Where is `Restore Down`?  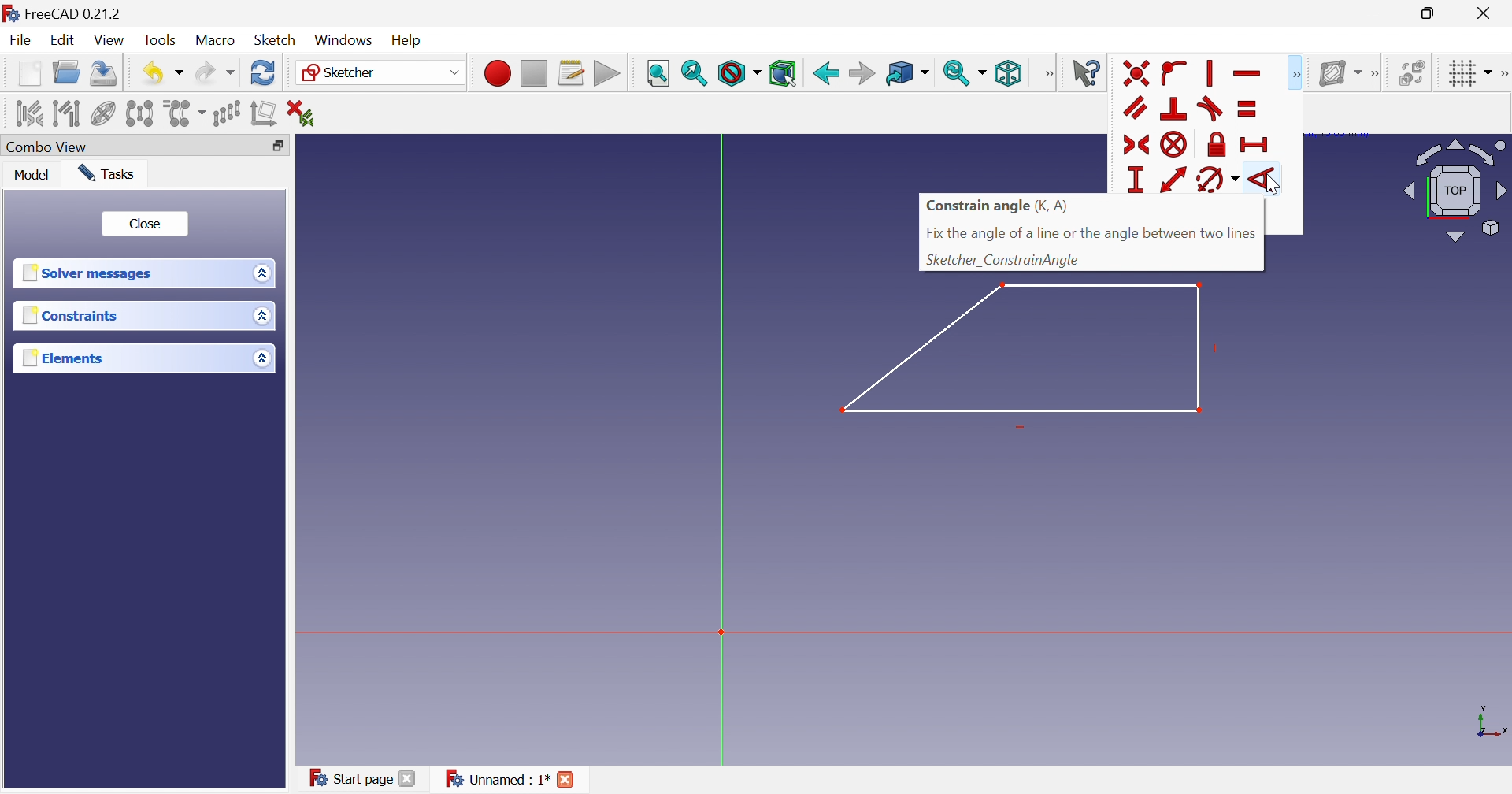
Restore Down is located at coordinates (1430, 13).